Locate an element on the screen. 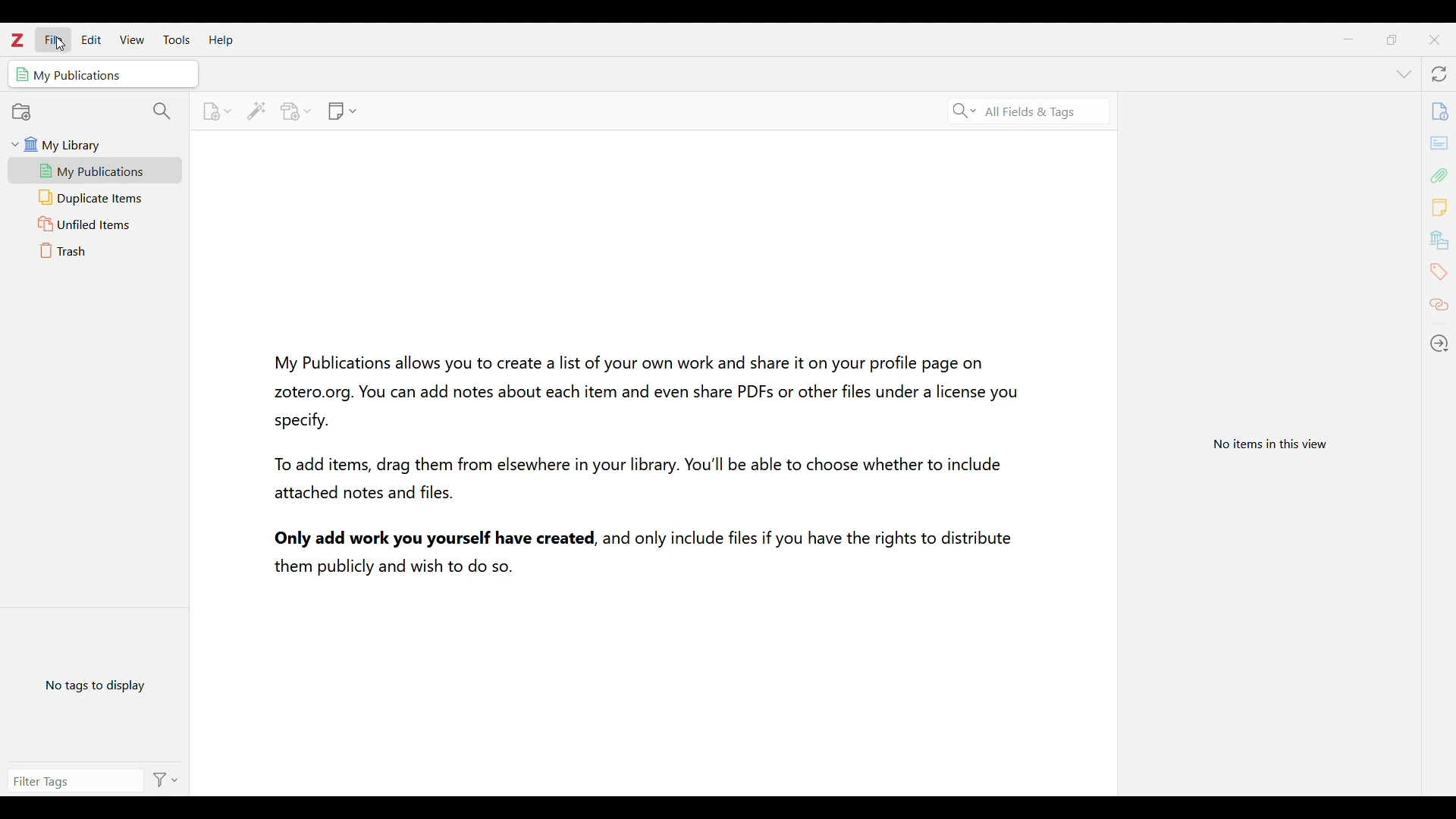 The image size is (1456, 819). My Publications allows you to create a list of your own work and share it on your profile page onzotero.org. You can add notes about each item and even share PDFs or other files under a license you specify. To add items, drag  them from elsewhere in your library. You'll be able to choose whether to include attached notes and files. Only add work you yourself have created, and only include files if you have the rights to distribute, them publicly and wish to do so. is located at coordinates (643, 460).